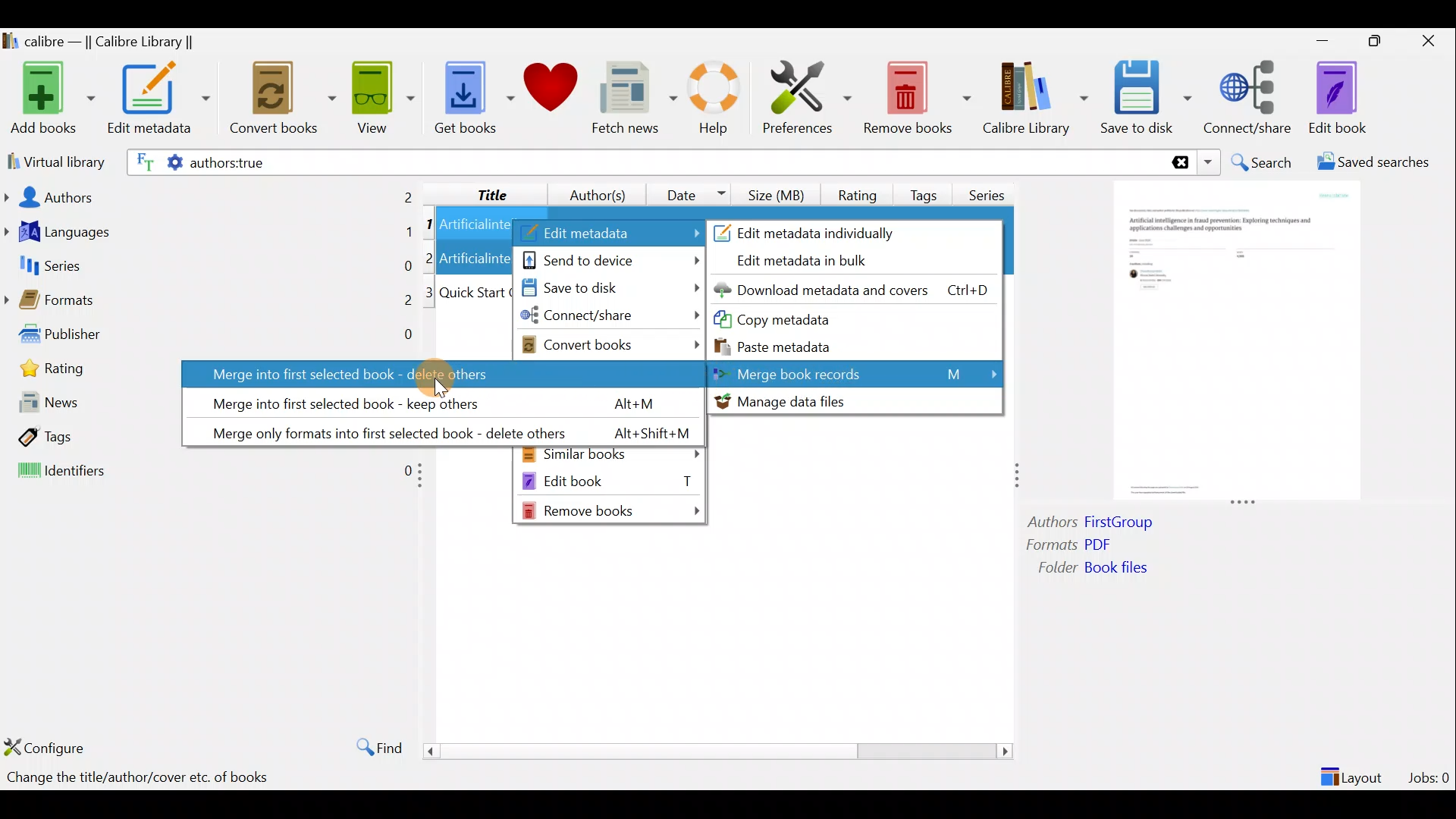 Image resolution: width=1456 pixels, height=819 pixels. What do you see at coordinates (1232, 343) in the screenshot?
I see `Preview` at bounding box center [1232, 343].